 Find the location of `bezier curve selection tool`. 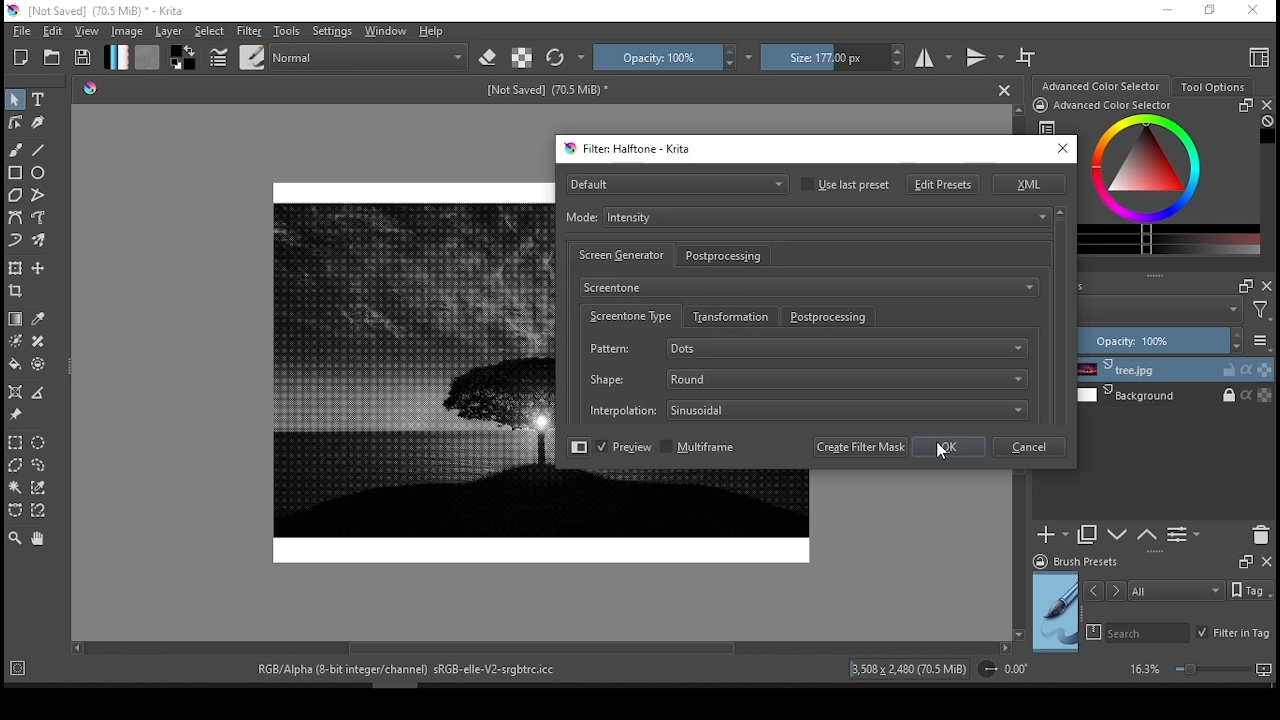

bezier curve selection tool is located at coordinates (17, 511).